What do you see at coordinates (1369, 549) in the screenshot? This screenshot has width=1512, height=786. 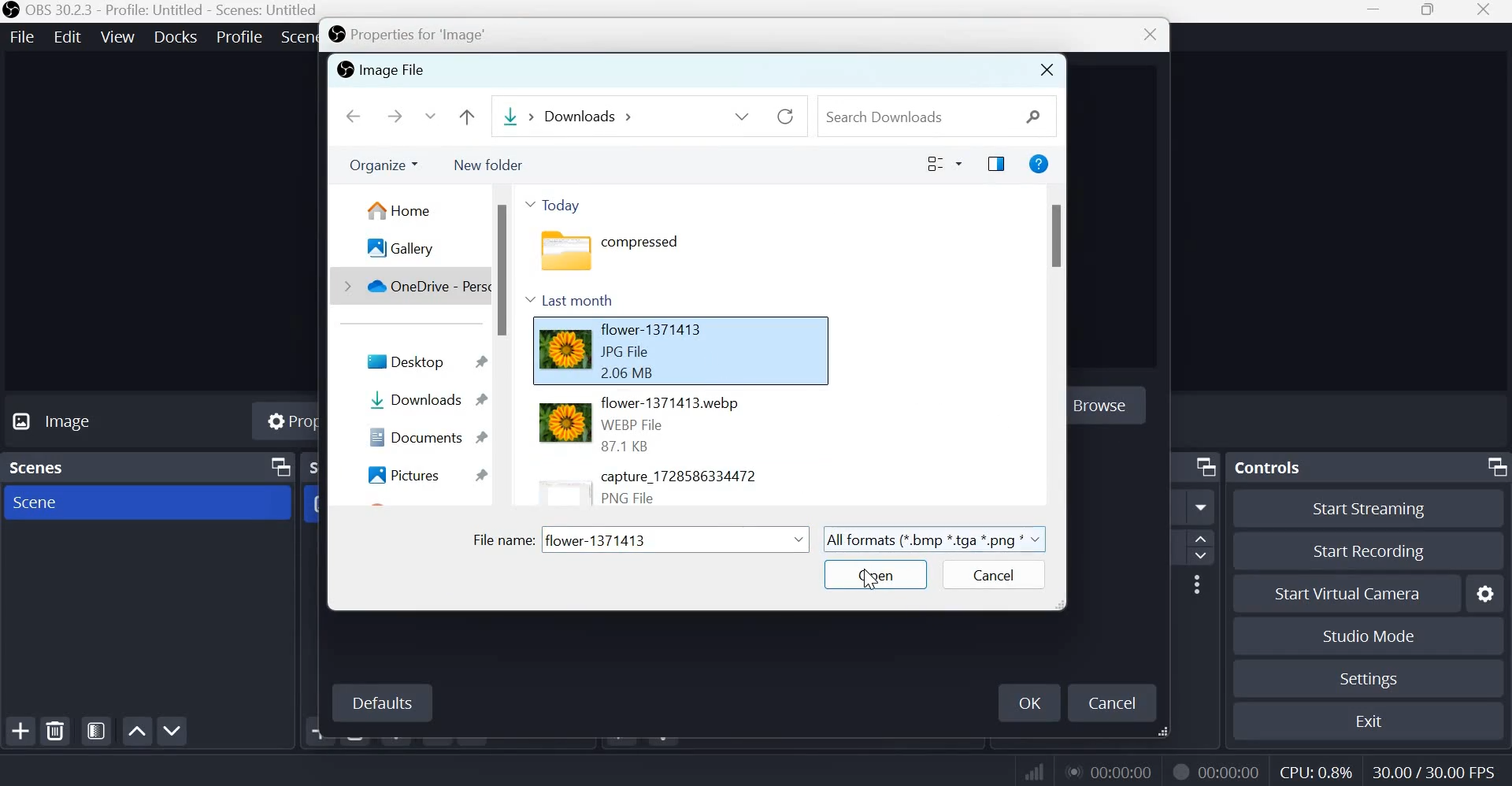 I see `Start recording` at bounding box center [1369, 549].